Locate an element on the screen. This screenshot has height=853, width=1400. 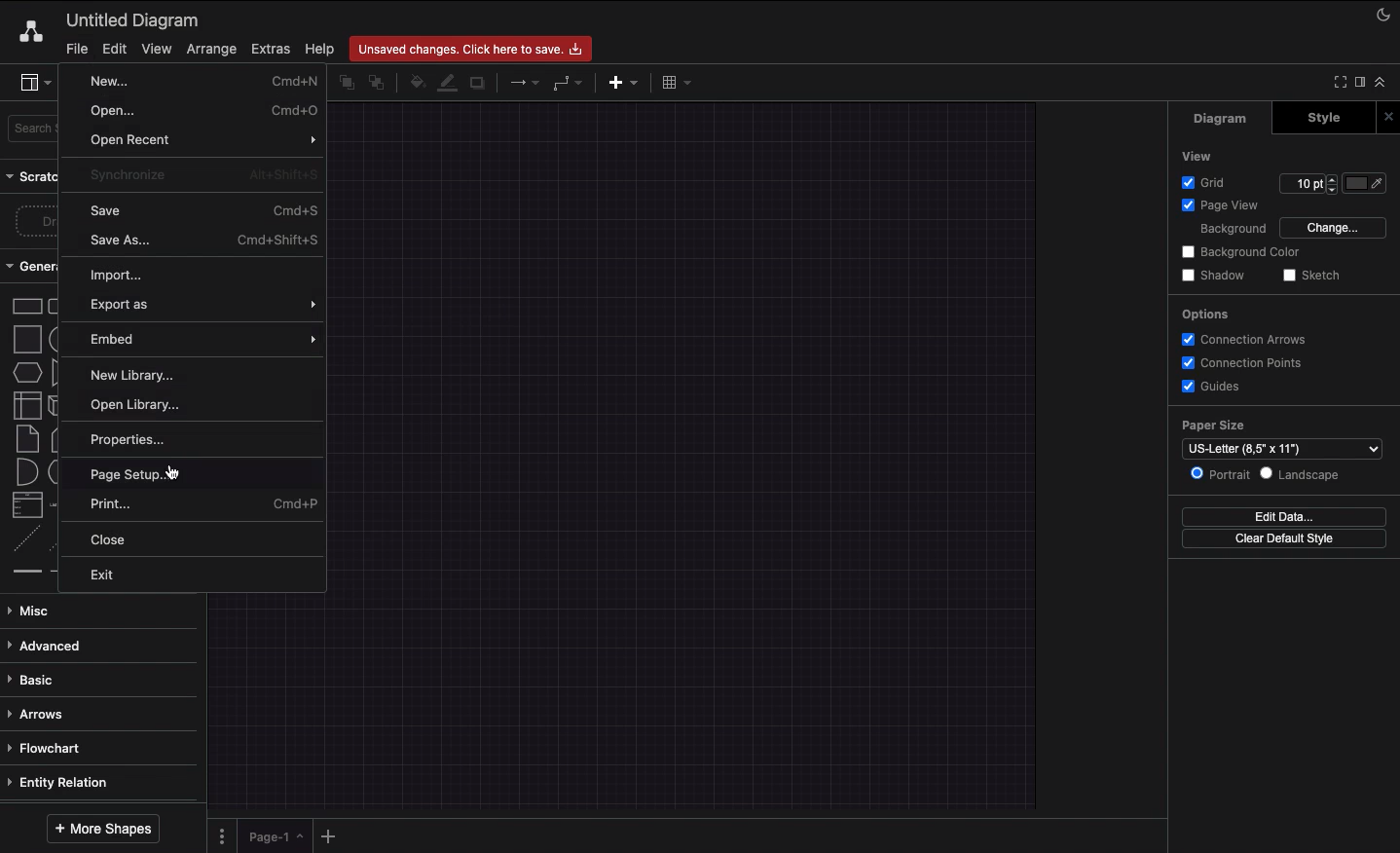
Arrange is located at coordinates (212, 50).